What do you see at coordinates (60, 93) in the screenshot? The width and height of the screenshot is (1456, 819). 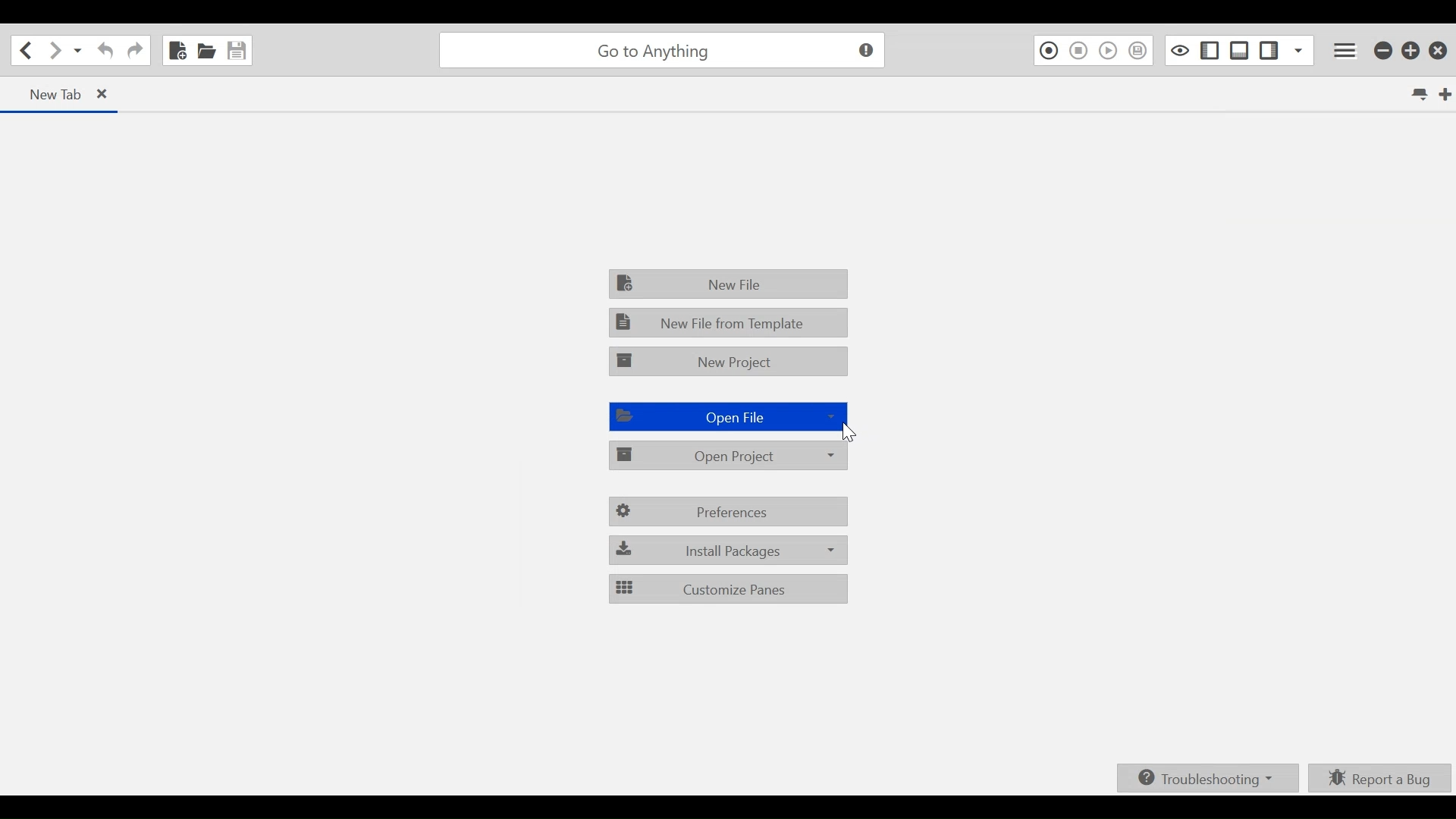 I see `Current Tab` at bounding box center [60, 93].